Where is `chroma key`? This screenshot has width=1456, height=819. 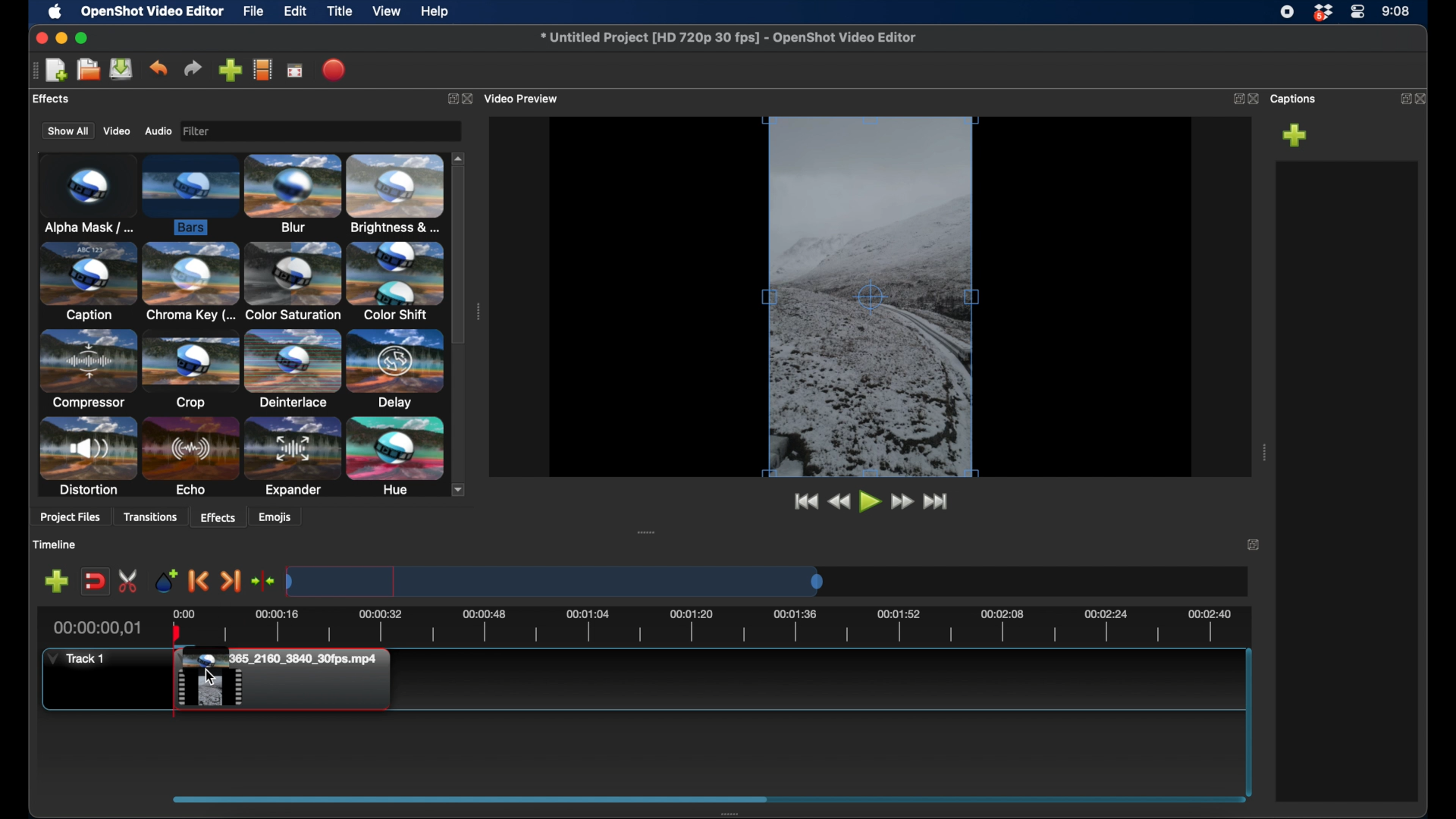
chroma key is located at coordinates (190, 284).